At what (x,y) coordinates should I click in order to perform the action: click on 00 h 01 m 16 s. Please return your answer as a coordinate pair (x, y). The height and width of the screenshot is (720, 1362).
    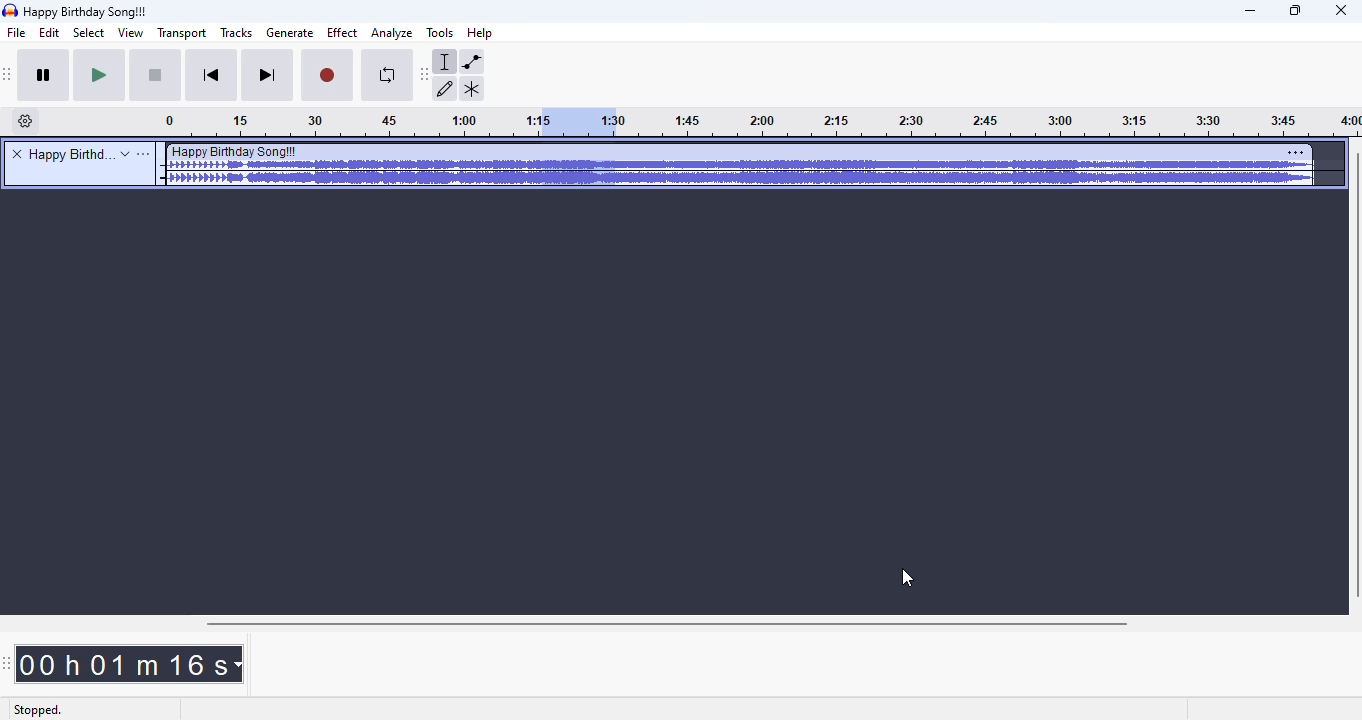
    Looking at the image, I should click on (130, 664).